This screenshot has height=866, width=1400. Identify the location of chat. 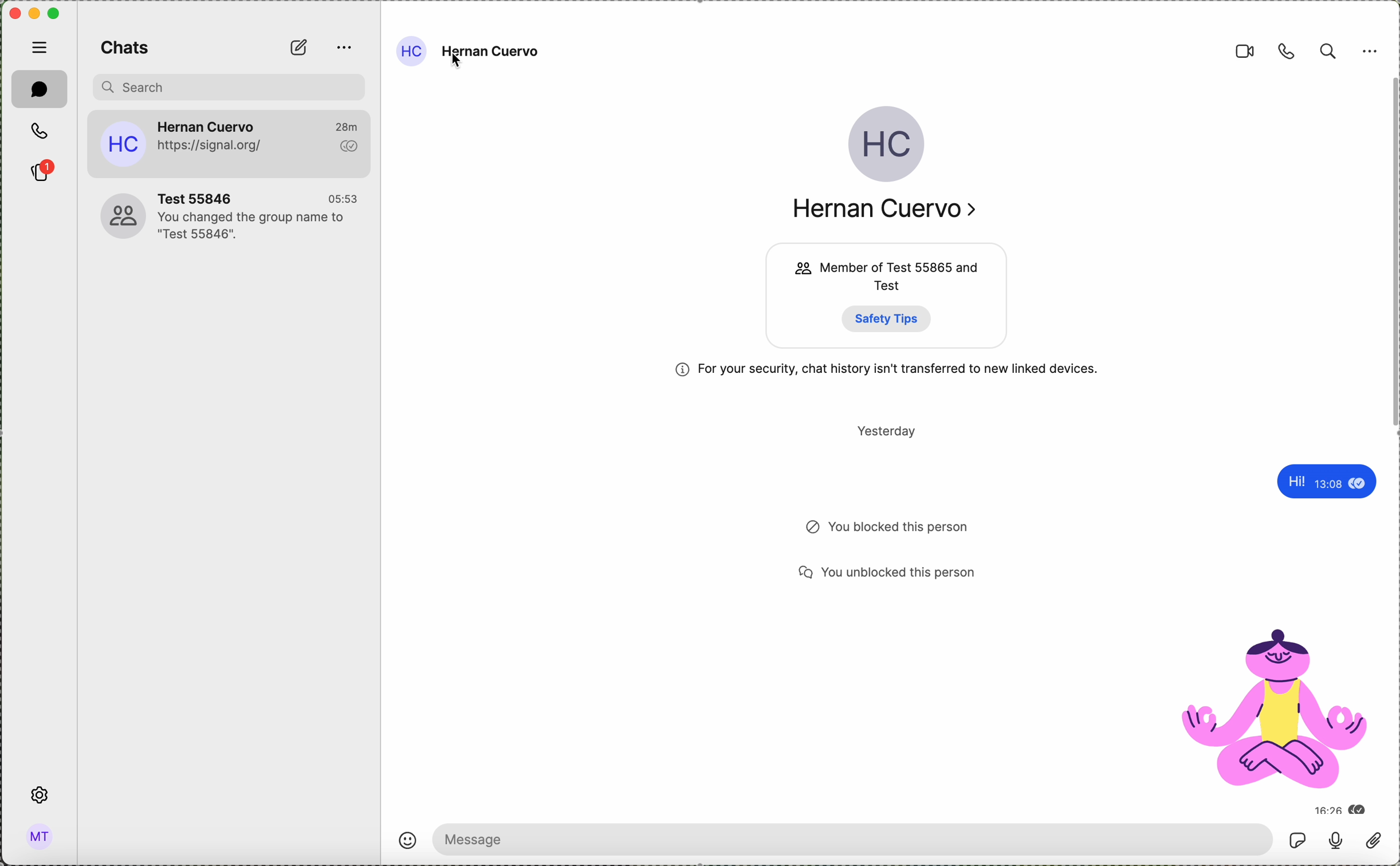
(40, 89).